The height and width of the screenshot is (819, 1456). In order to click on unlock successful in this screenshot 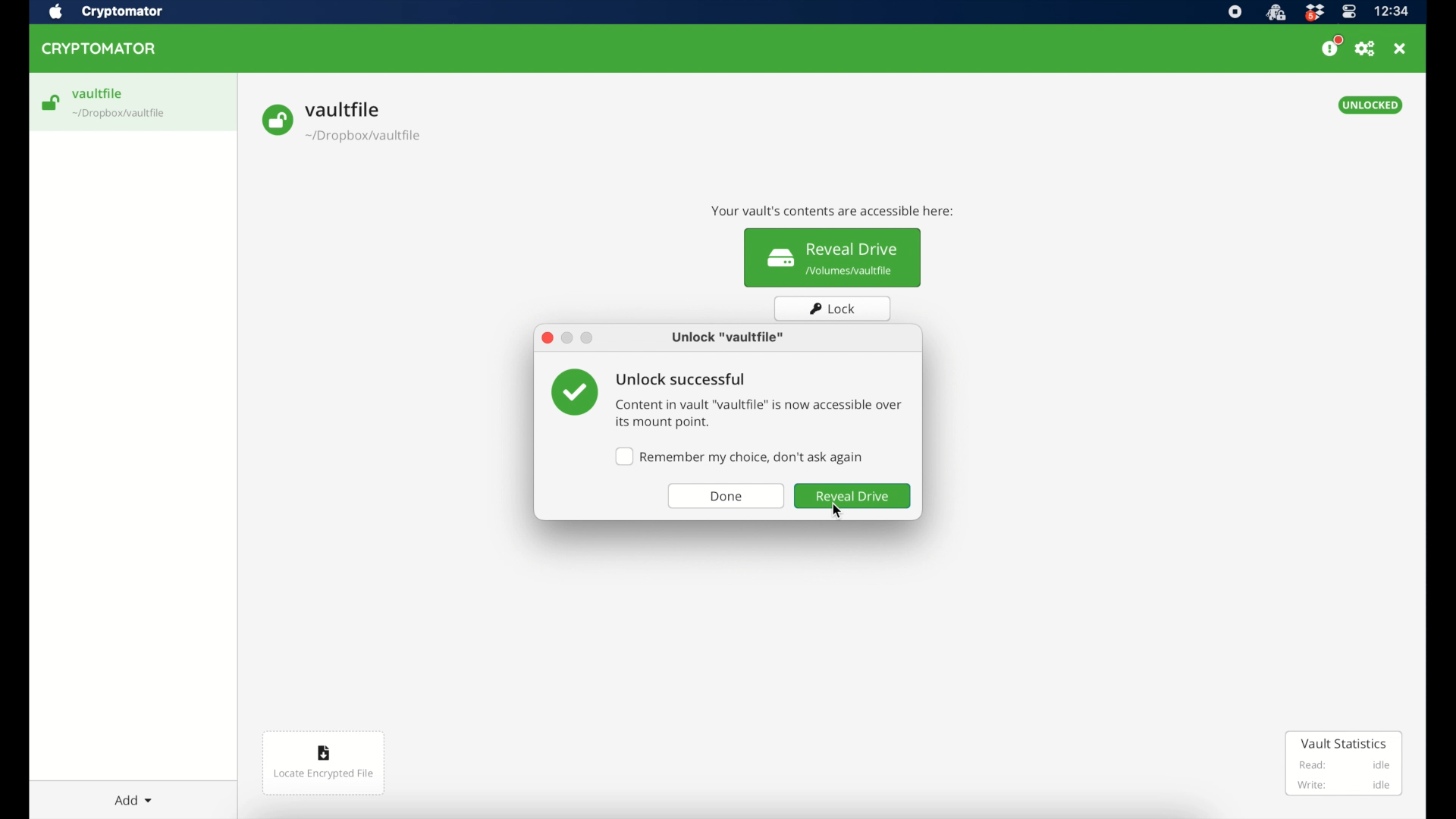, I will do `click(682, 378)`.